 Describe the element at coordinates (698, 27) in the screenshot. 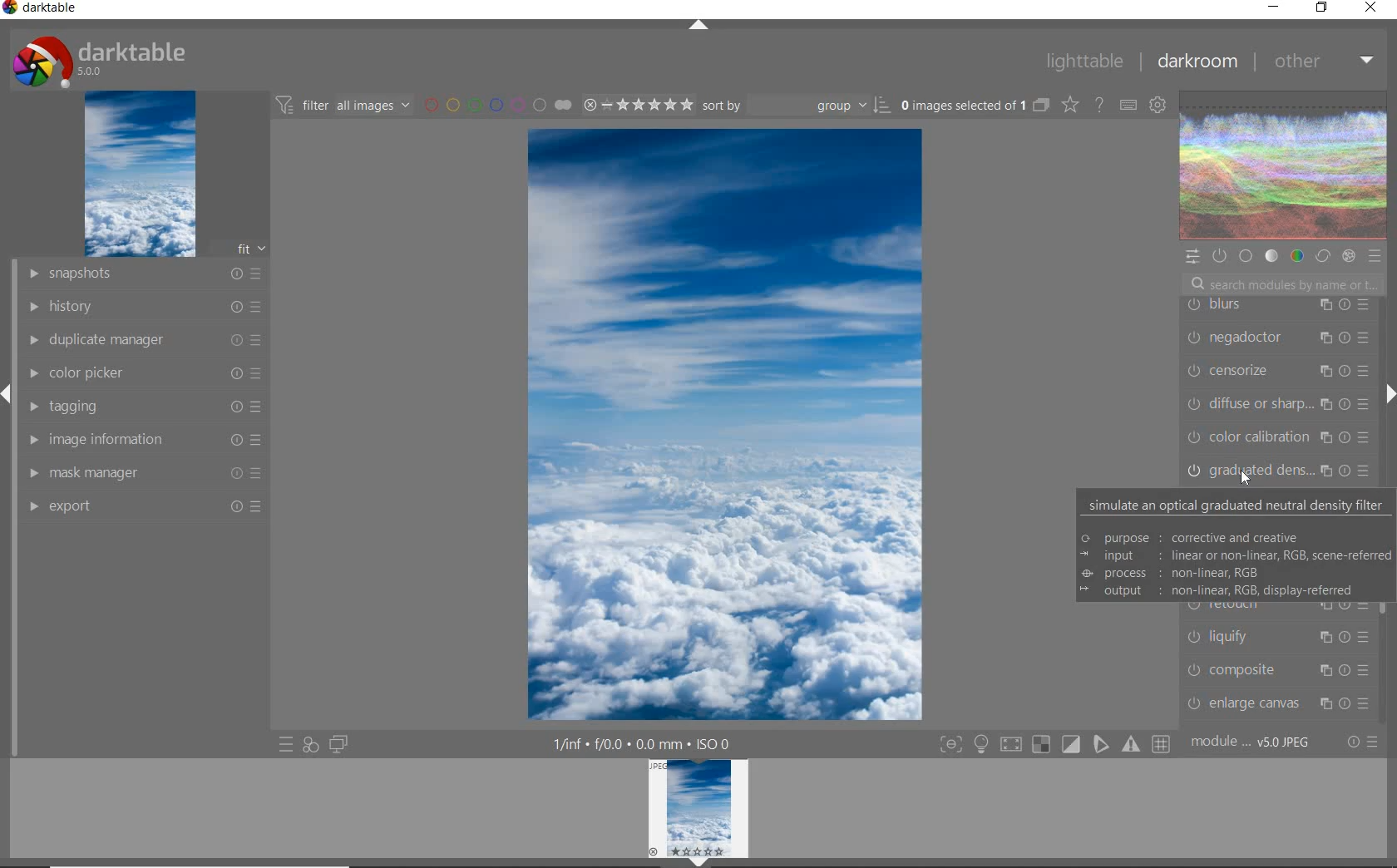

I see `Up` at that location.